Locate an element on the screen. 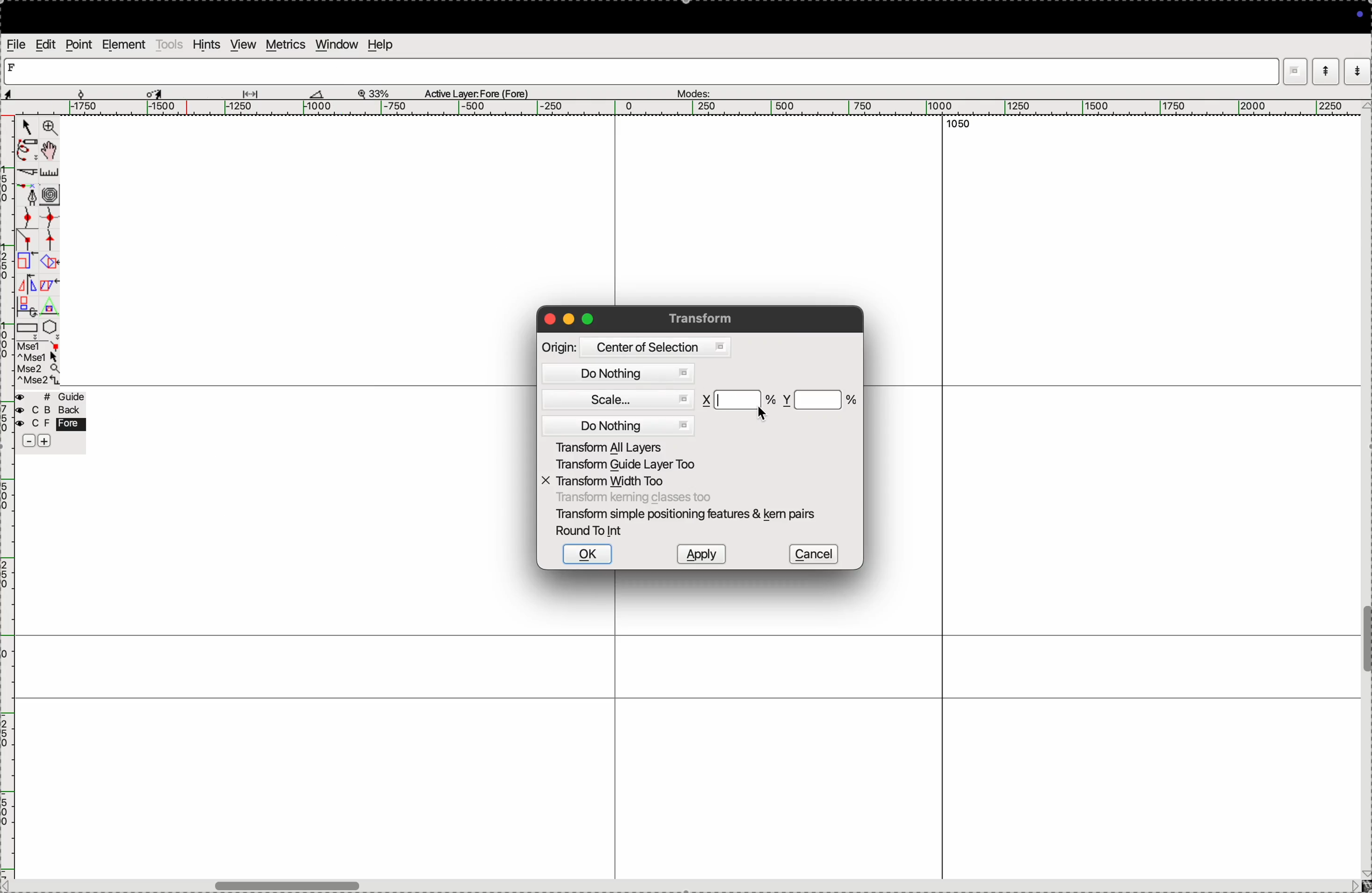 The width and height of the screenshot is (1372, 893). toggle is located at coordinates (51, 150).